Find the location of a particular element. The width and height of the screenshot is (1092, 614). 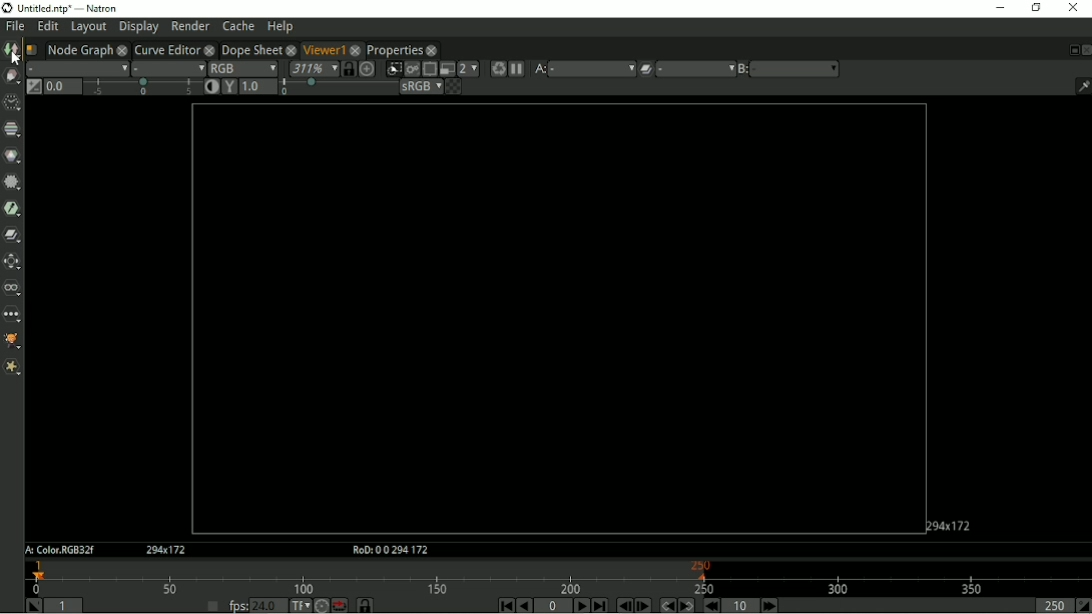

Cache is located at coordinates (239, 25).